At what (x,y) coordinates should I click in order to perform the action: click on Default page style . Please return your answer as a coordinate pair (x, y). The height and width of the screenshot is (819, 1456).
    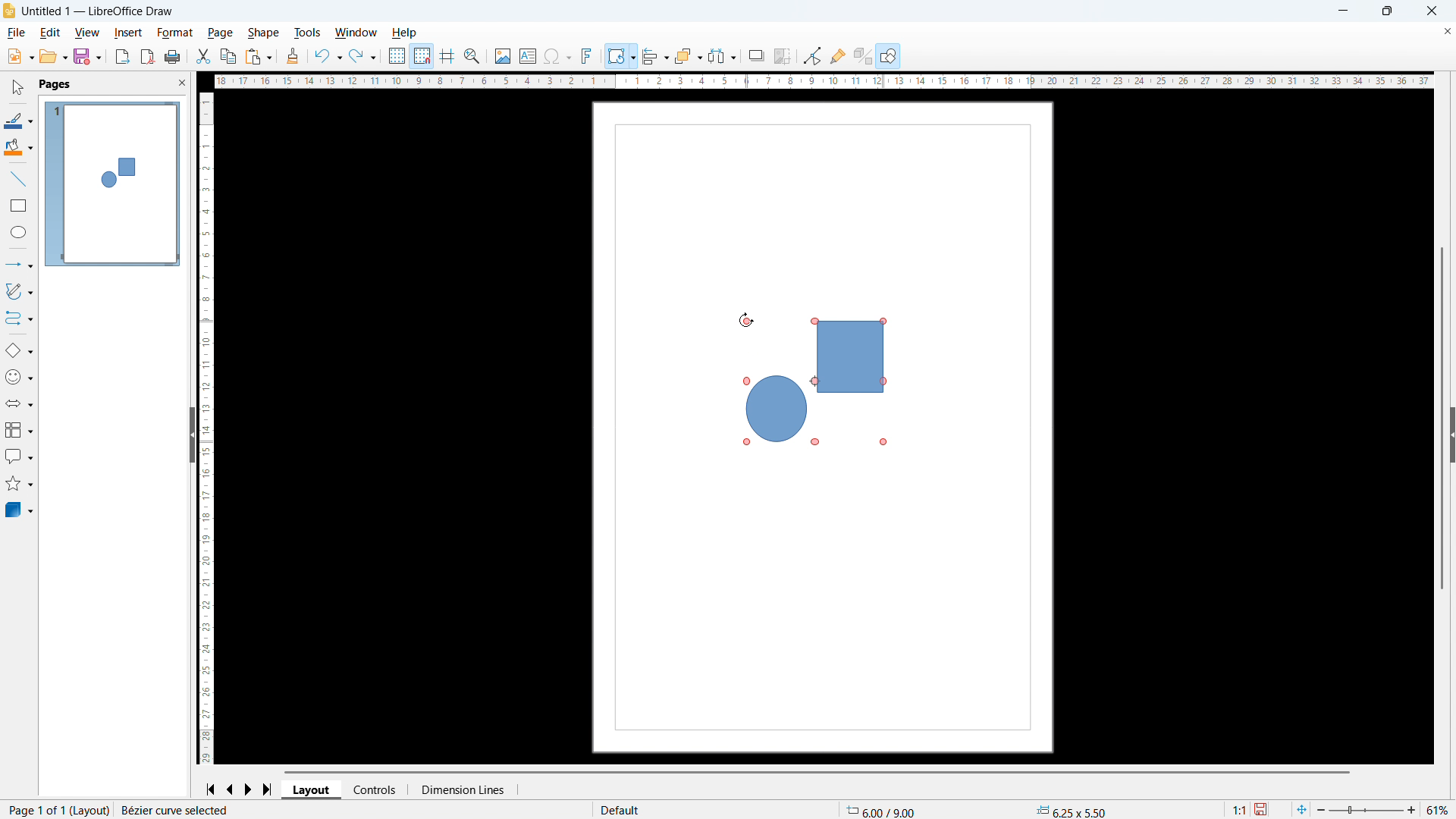
    Looking at the image, I should click on (623, 811).